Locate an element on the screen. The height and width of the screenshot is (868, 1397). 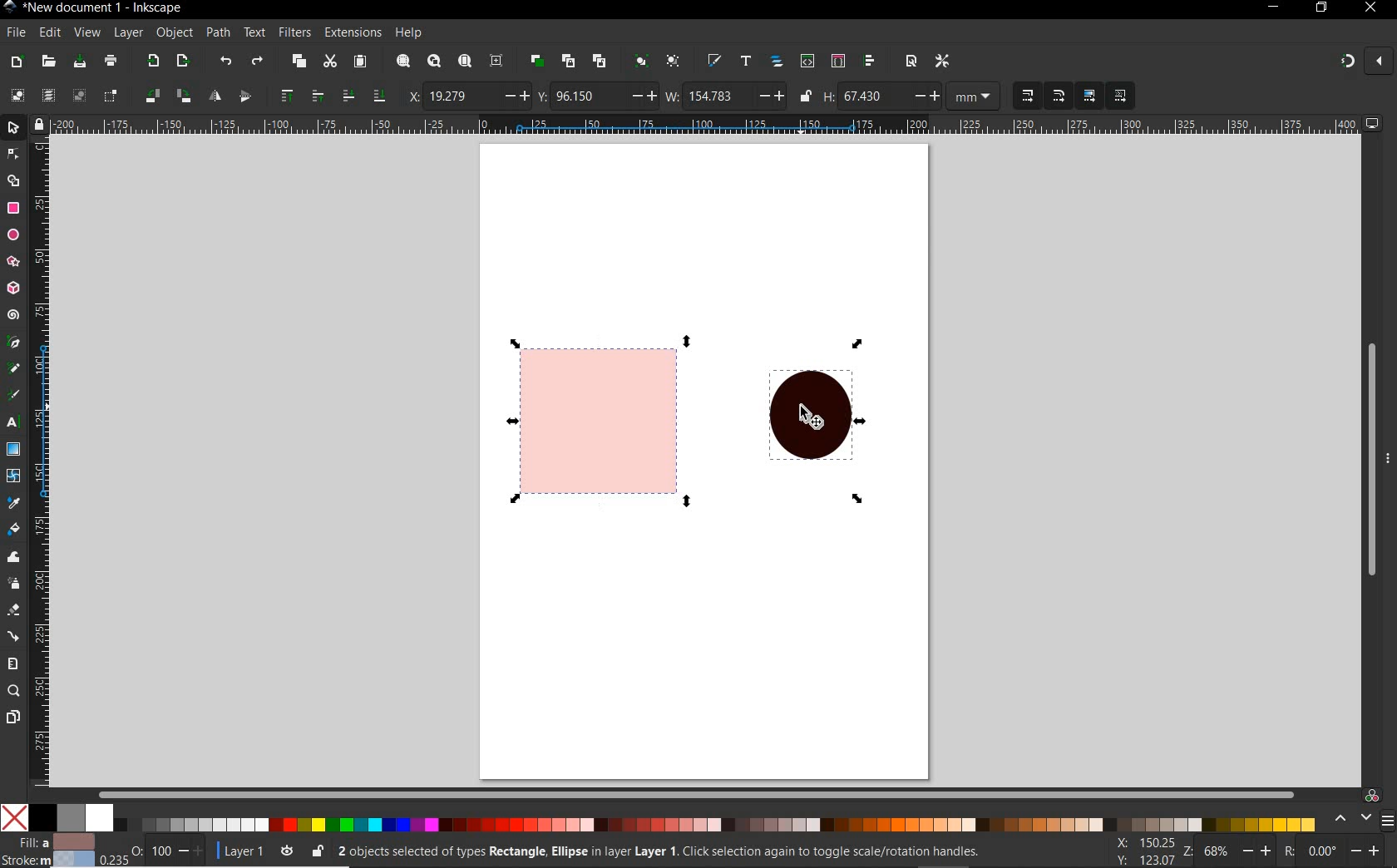
color pallet is located at coordinates (689, 818).